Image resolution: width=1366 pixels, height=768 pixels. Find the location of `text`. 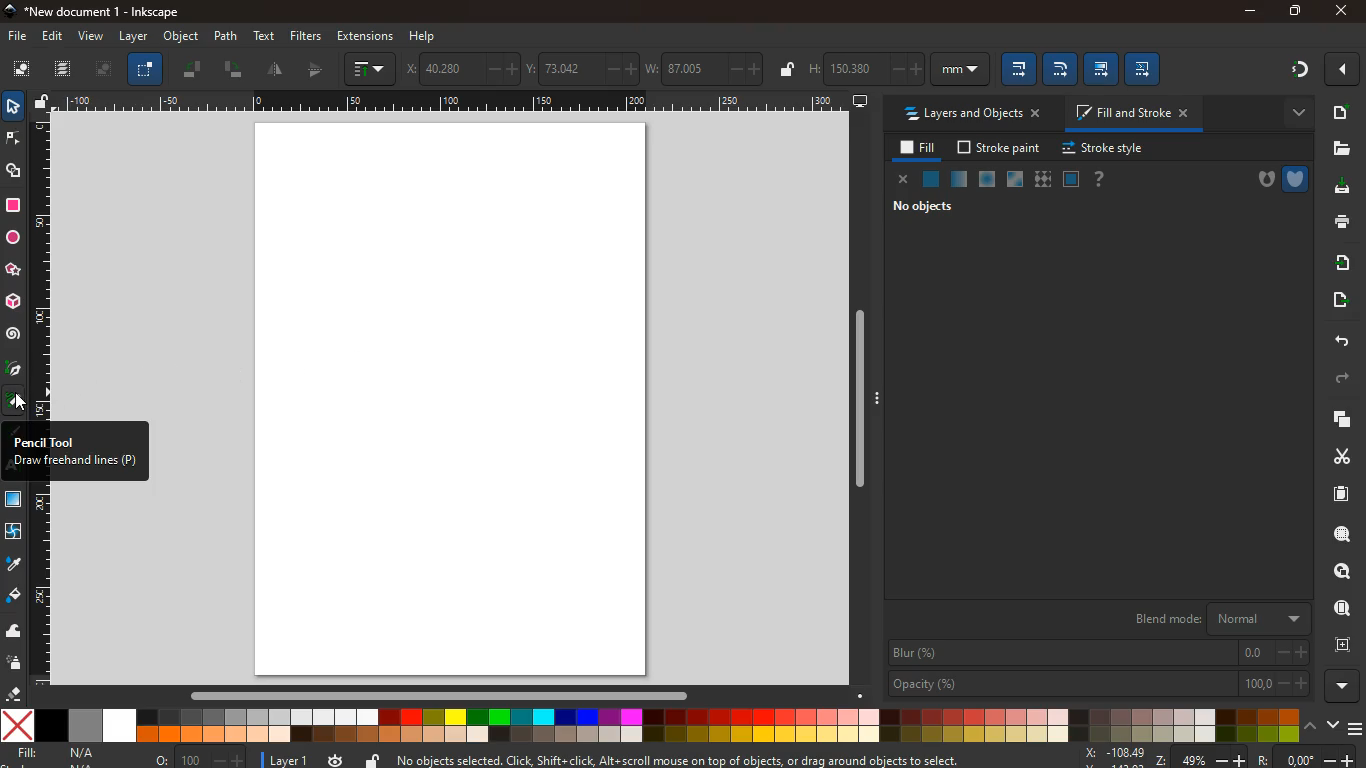

text is located at coordinates (266, 36).